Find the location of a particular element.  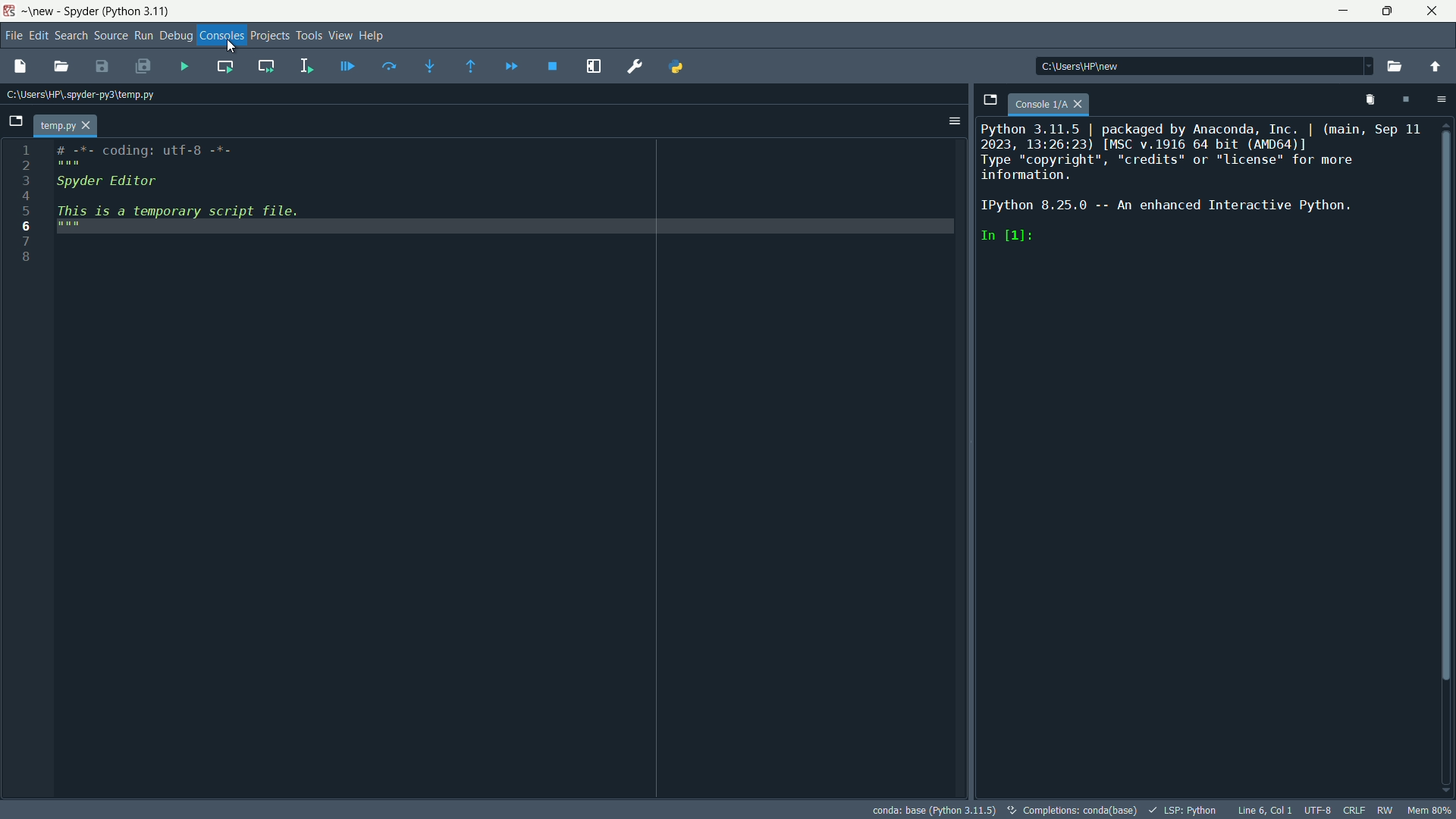

completetions:conda is located at coordinates (1072, 811).